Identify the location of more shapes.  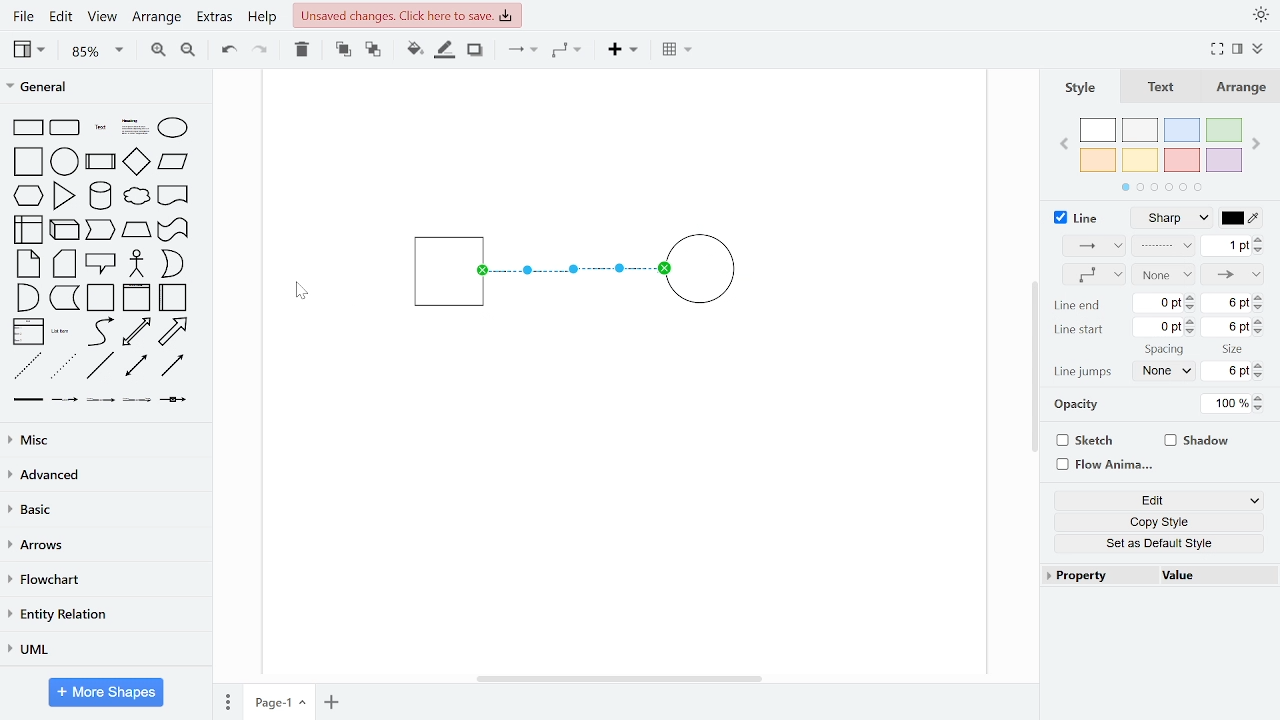
(107, 694).